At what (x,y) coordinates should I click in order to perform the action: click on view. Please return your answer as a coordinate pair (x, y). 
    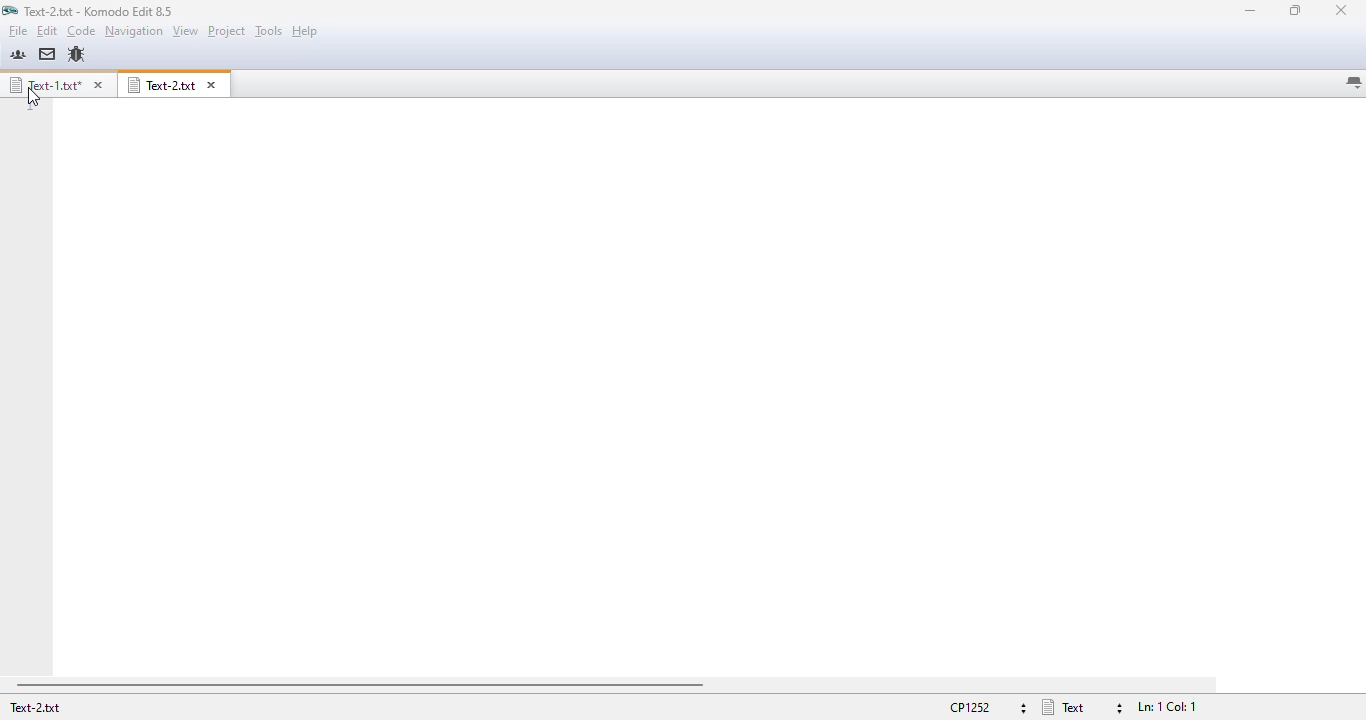
    Looking at the image, I should click on (186, 30).